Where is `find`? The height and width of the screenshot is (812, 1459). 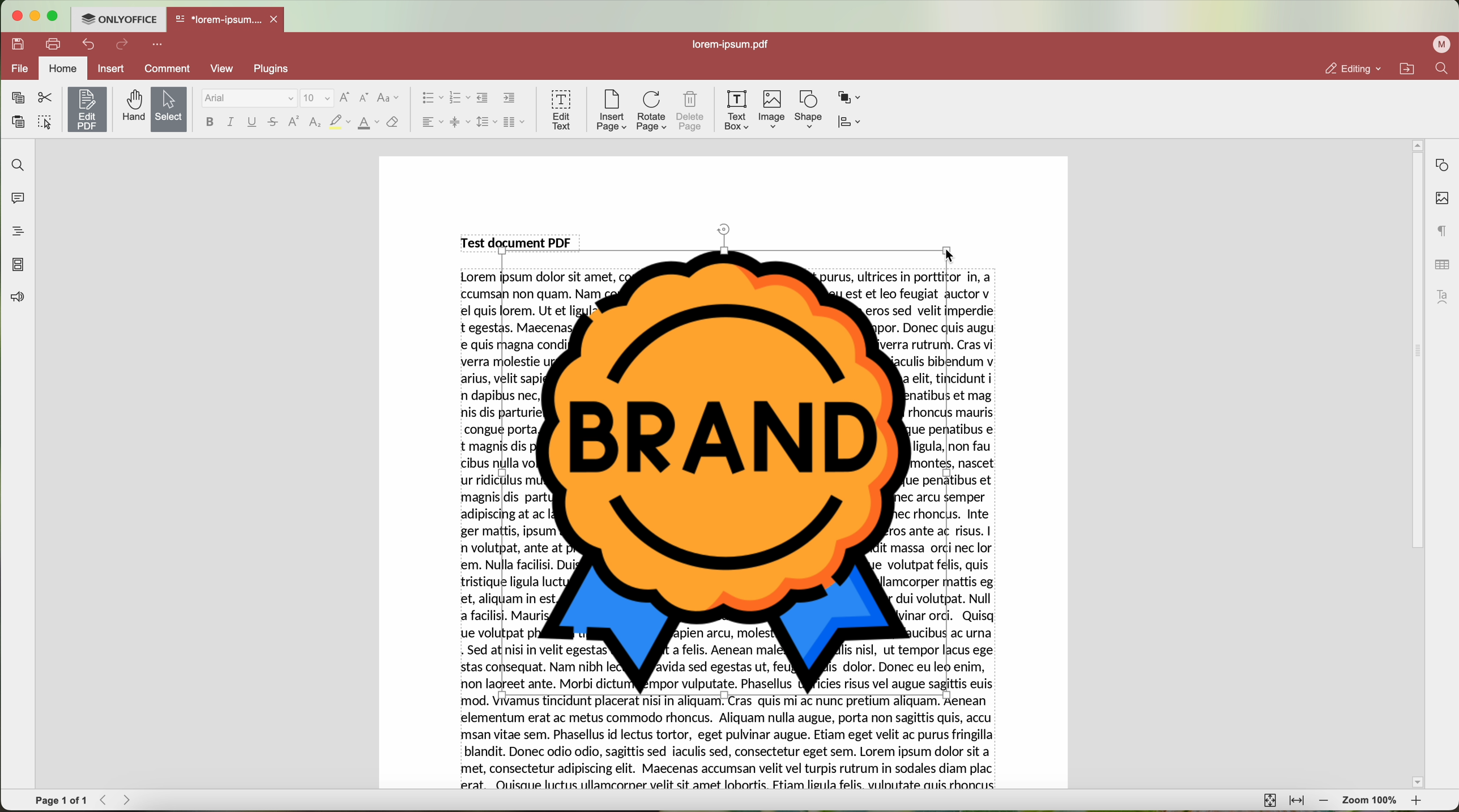
find is located at coordinates (15, 164).